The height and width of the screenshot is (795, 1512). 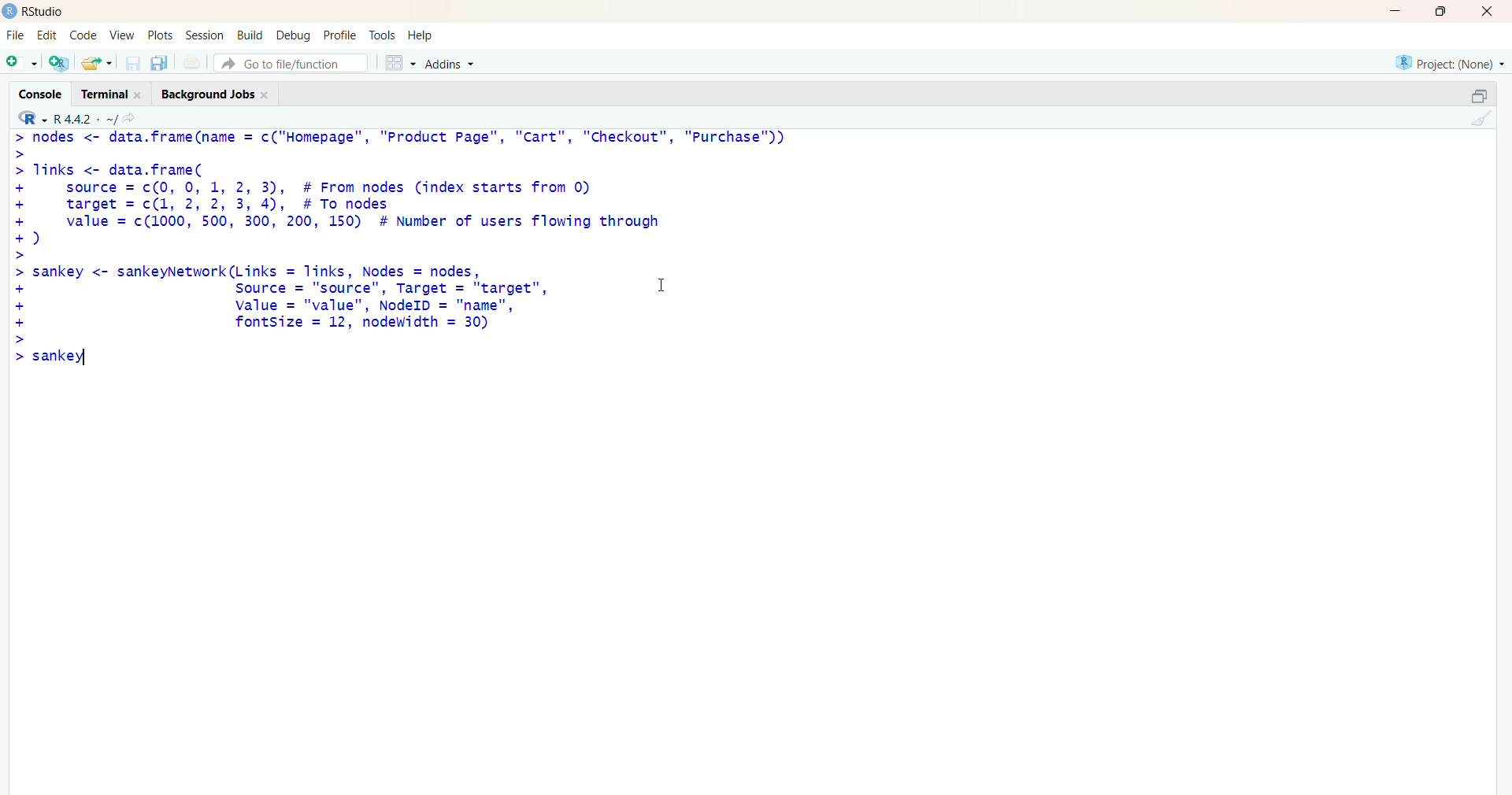 What do you see at coordinates (20, 64) in the screenshot?
I see `menu` at bounding box center [20, 64].